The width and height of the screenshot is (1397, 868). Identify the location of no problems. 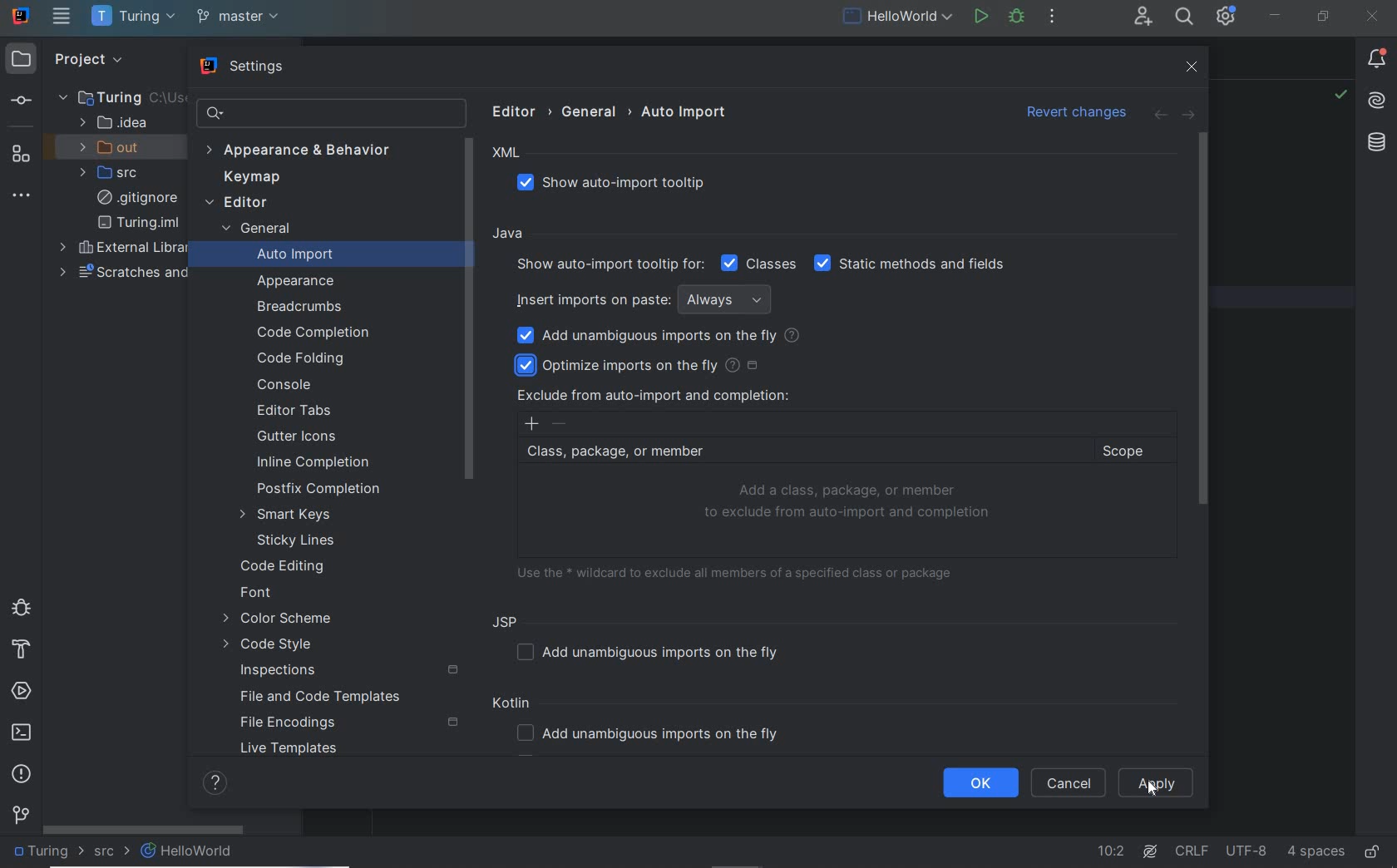
(1340, 96).